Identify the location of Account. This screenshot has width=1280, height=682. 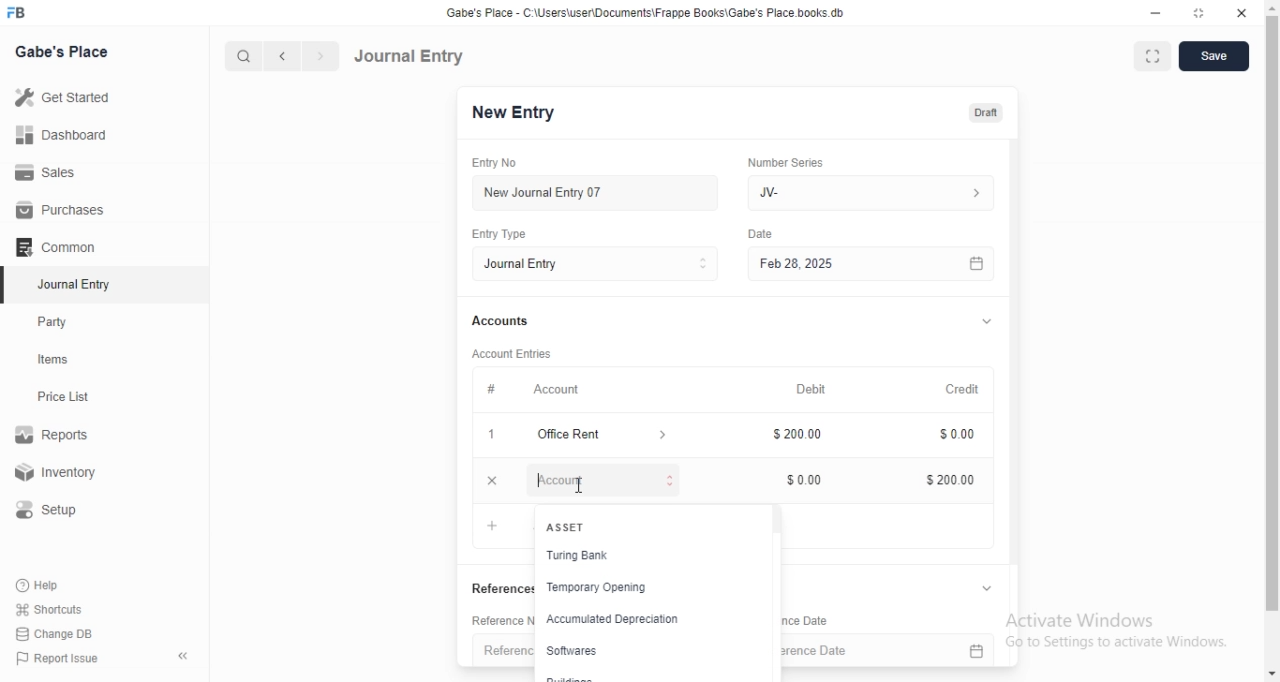
(538, 481).